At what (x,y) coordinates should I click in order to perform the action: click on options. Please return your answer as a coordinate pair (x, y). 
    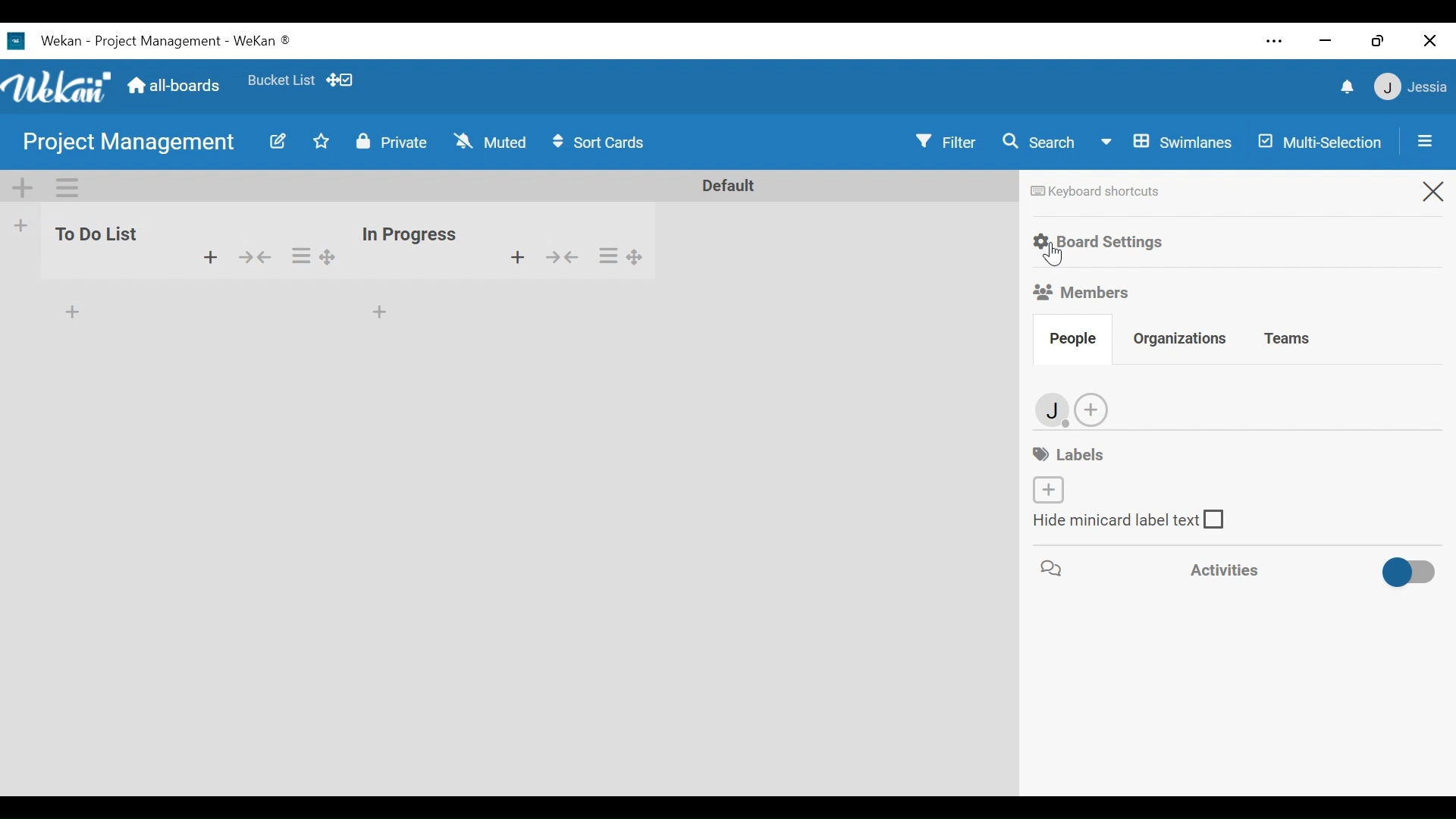
    Looking at the image, I should click on (626, 255).